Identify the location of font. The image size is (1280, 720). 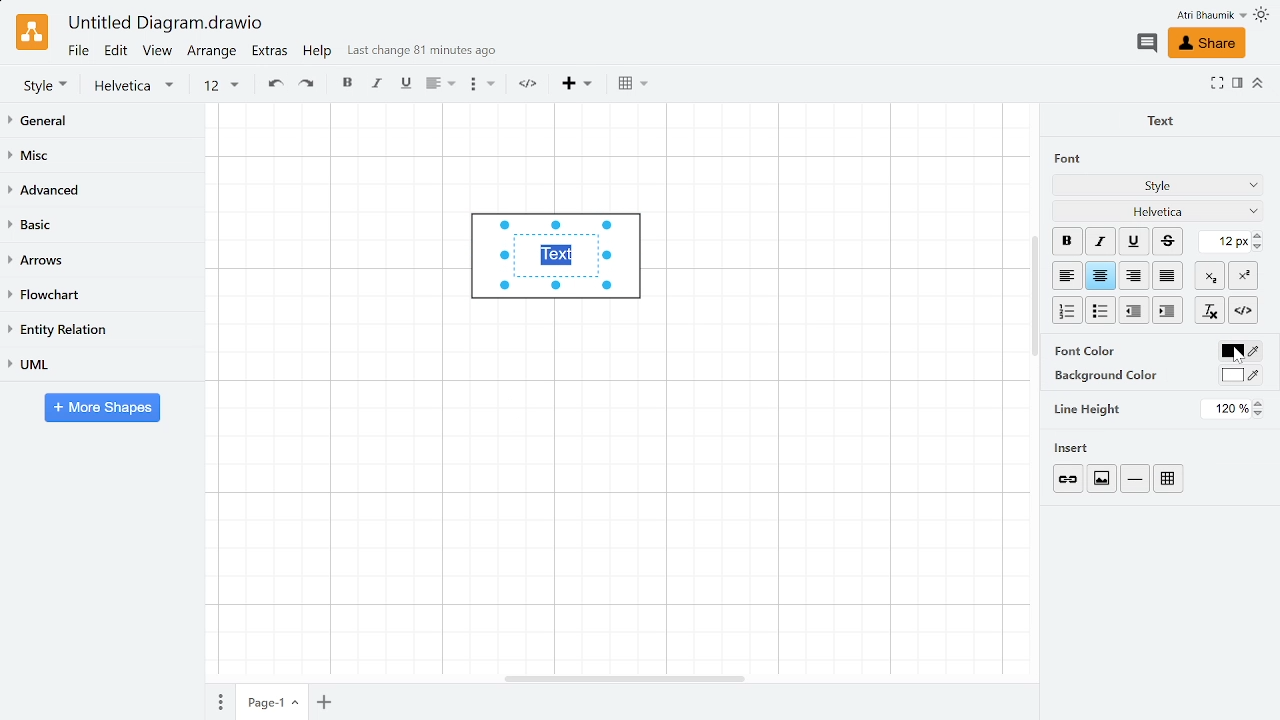
(1062, 158).